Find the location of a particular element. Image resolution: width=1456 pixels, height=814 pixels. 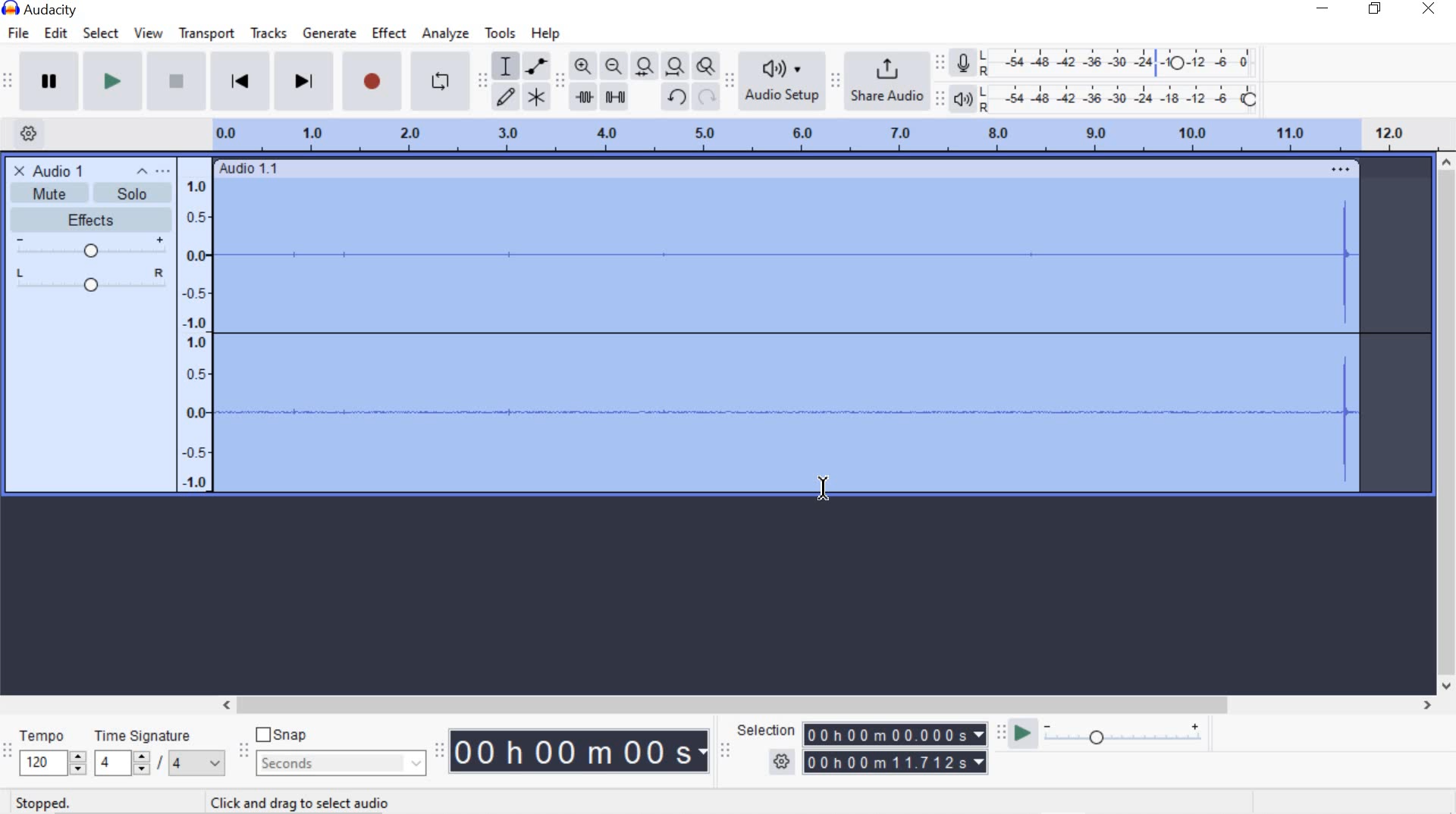

Draw tool is located at coordinates (505, 95).